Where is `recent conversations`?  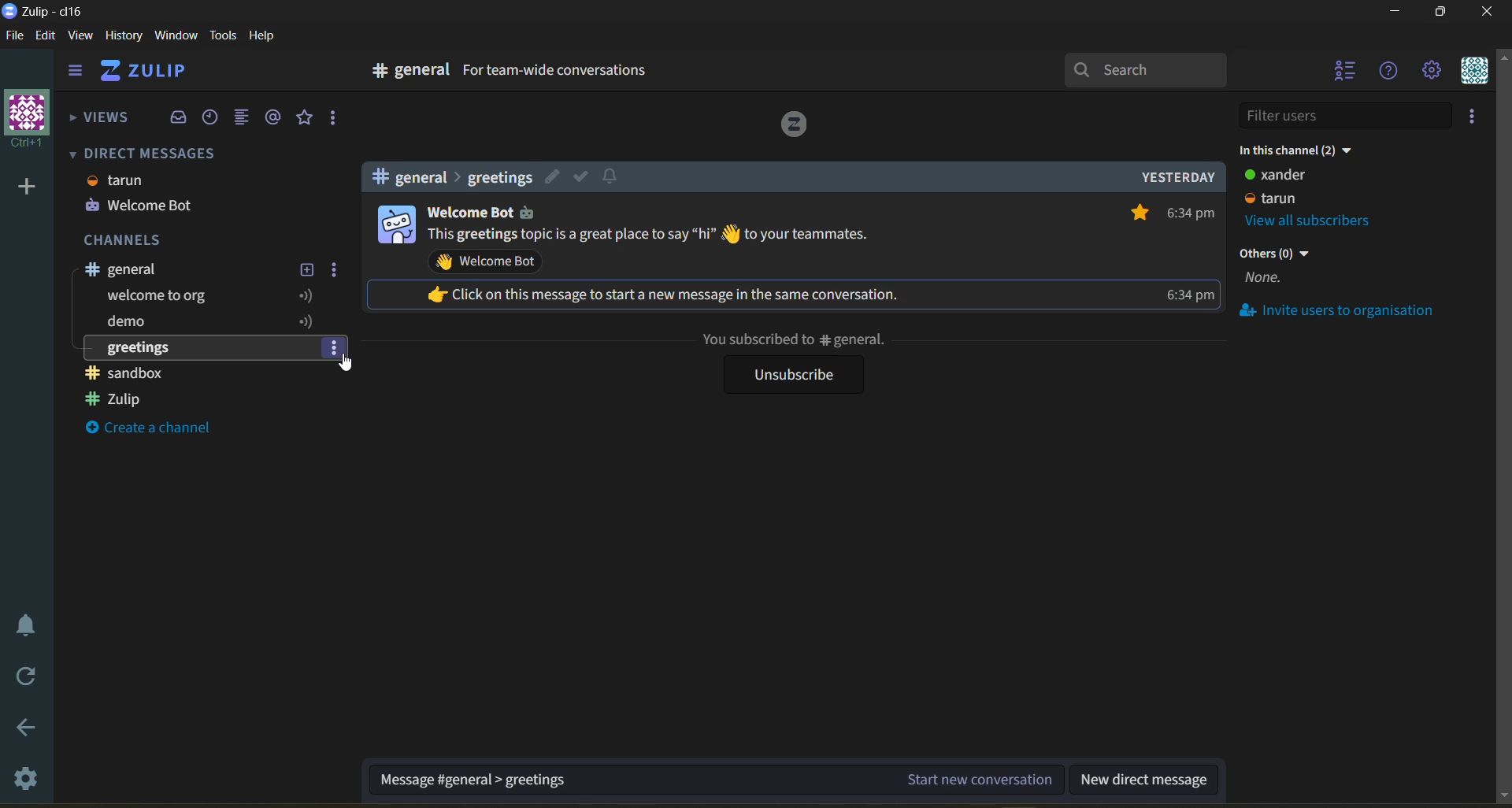
recent conversations is located at coordinates (216, 118).